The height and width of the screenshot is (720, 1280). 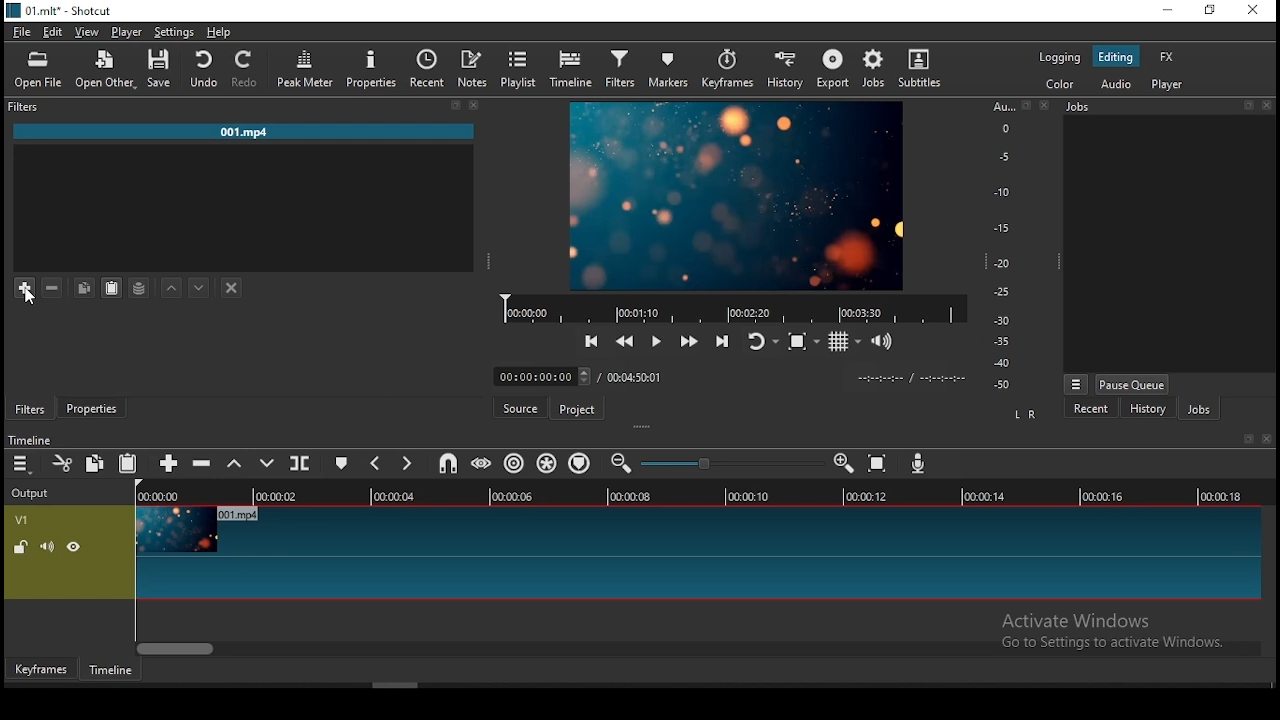 I want to click on save, so click(x=163, y=67).